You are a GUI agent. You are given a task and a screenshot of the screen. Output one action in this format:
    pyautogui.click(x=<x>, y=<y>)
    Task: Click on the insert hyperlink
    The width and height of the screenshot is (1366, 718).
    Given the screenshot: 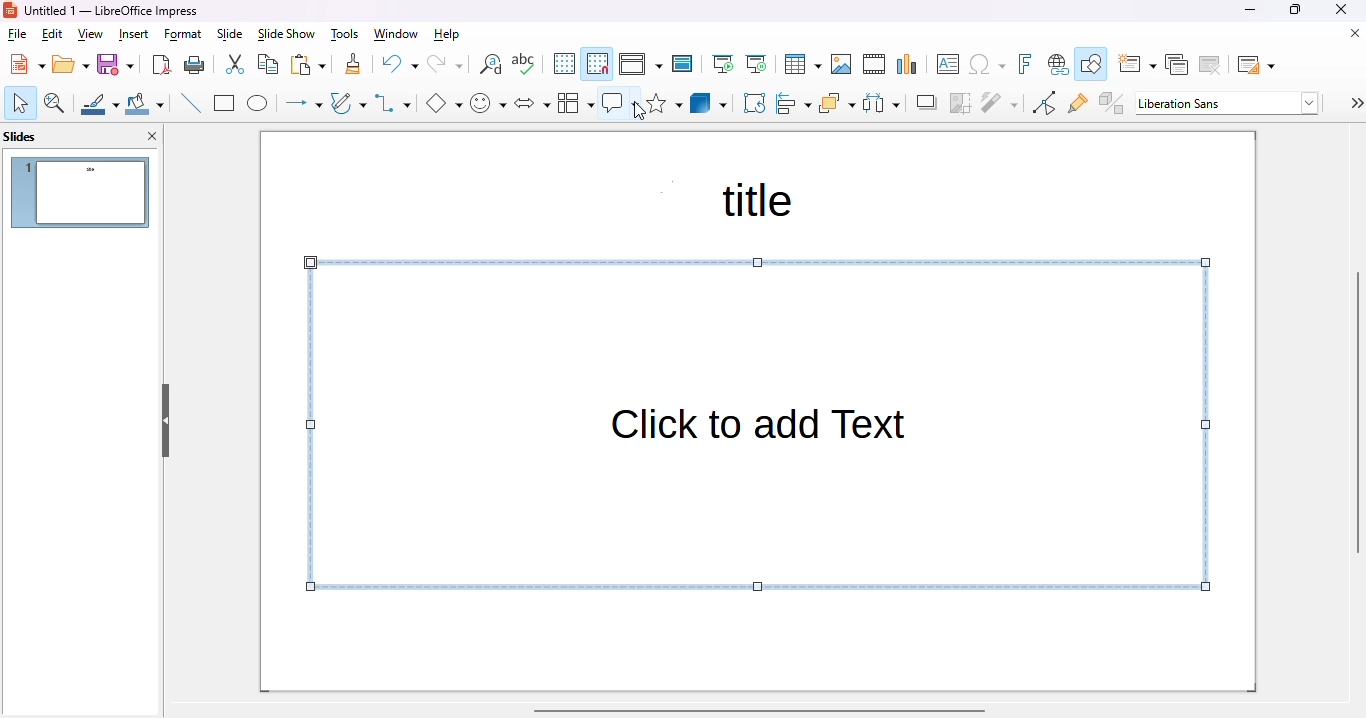 What is the action you would take?
    pyautogui.click(x=1058, y=64)
    